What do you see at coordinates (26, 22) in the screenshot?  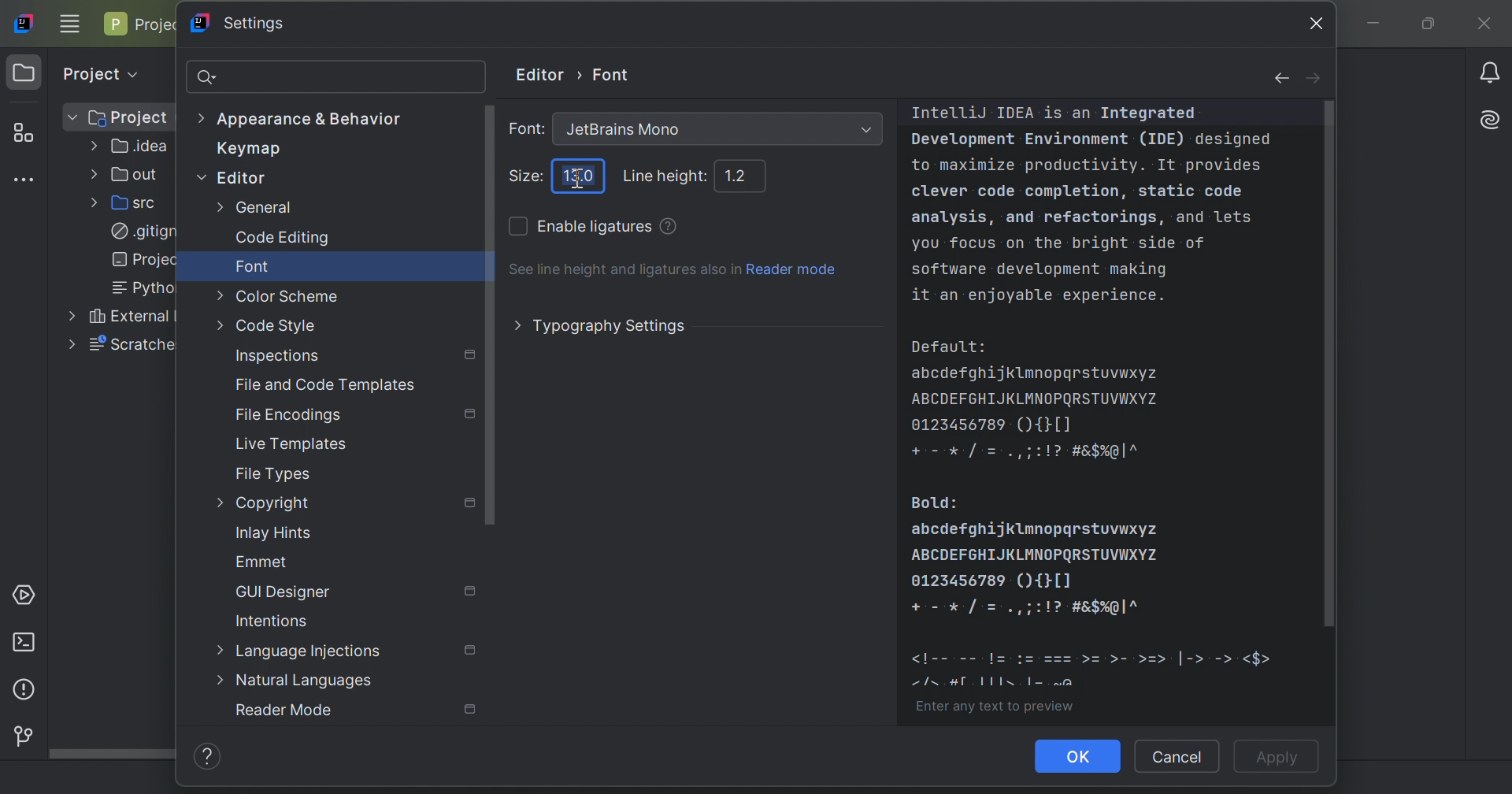 I see `IntelliJ IDEA icon` at bounding box center [26, 22].